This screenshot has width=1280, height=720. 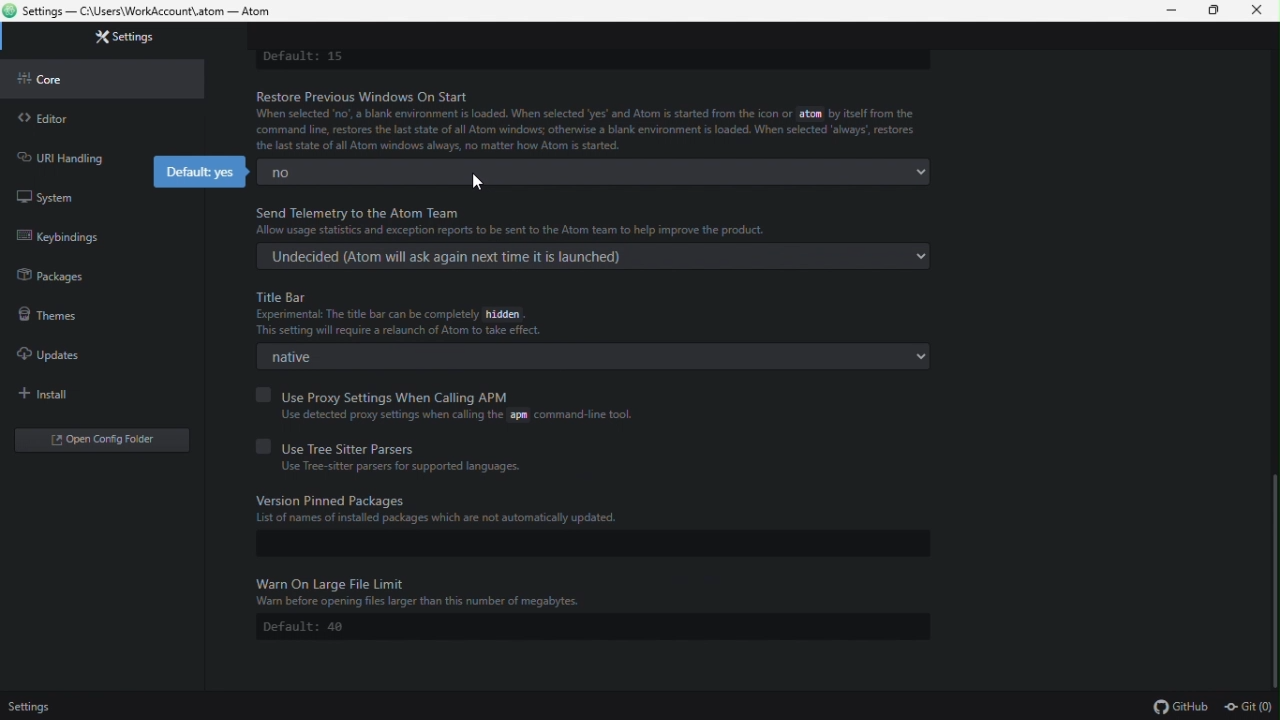 I want to click on Use Tree-sitter parsers for supported languages., so click(x=442, y=470).